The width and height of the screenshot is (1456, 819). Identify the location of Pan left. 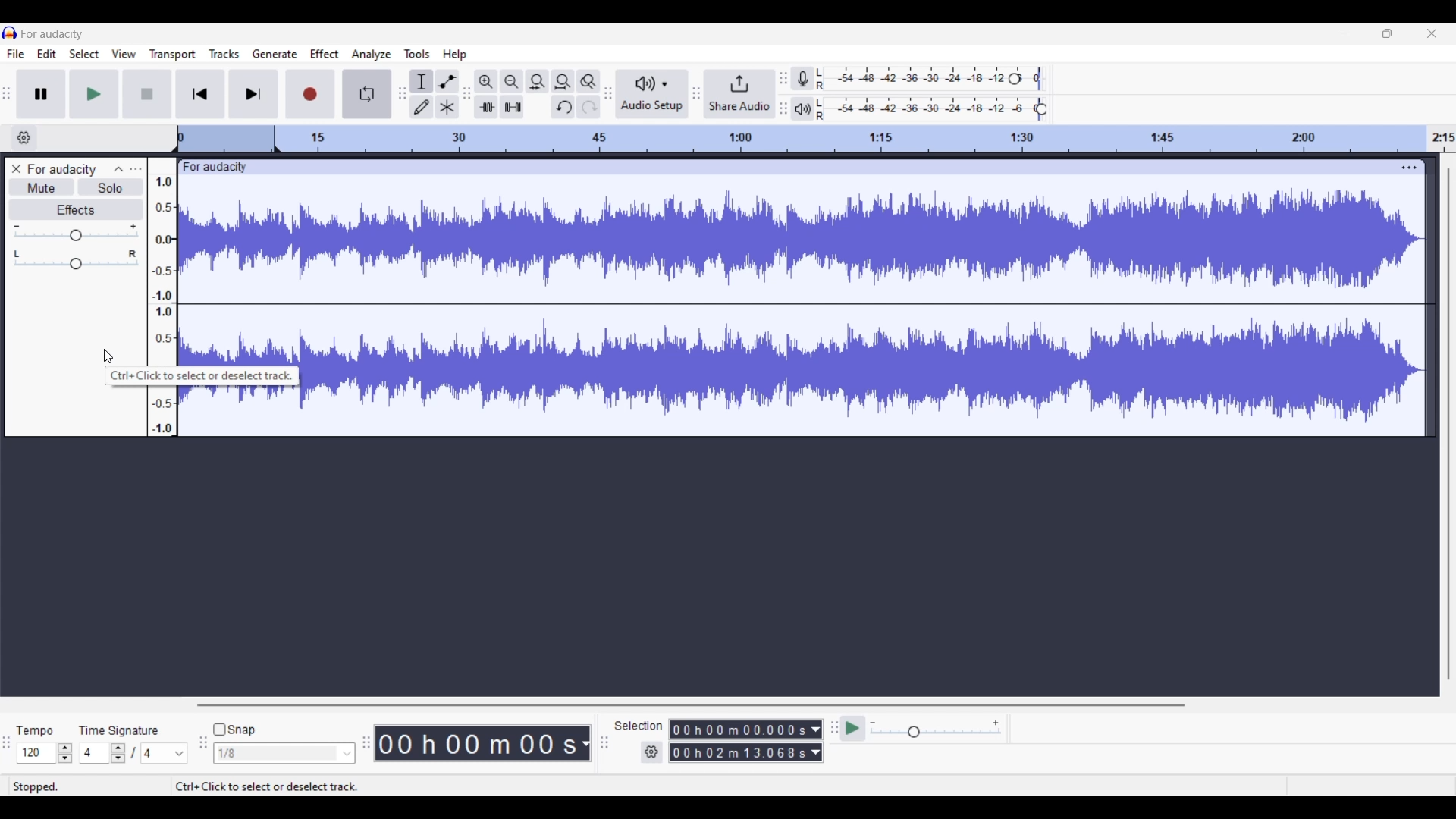
(17, 254).